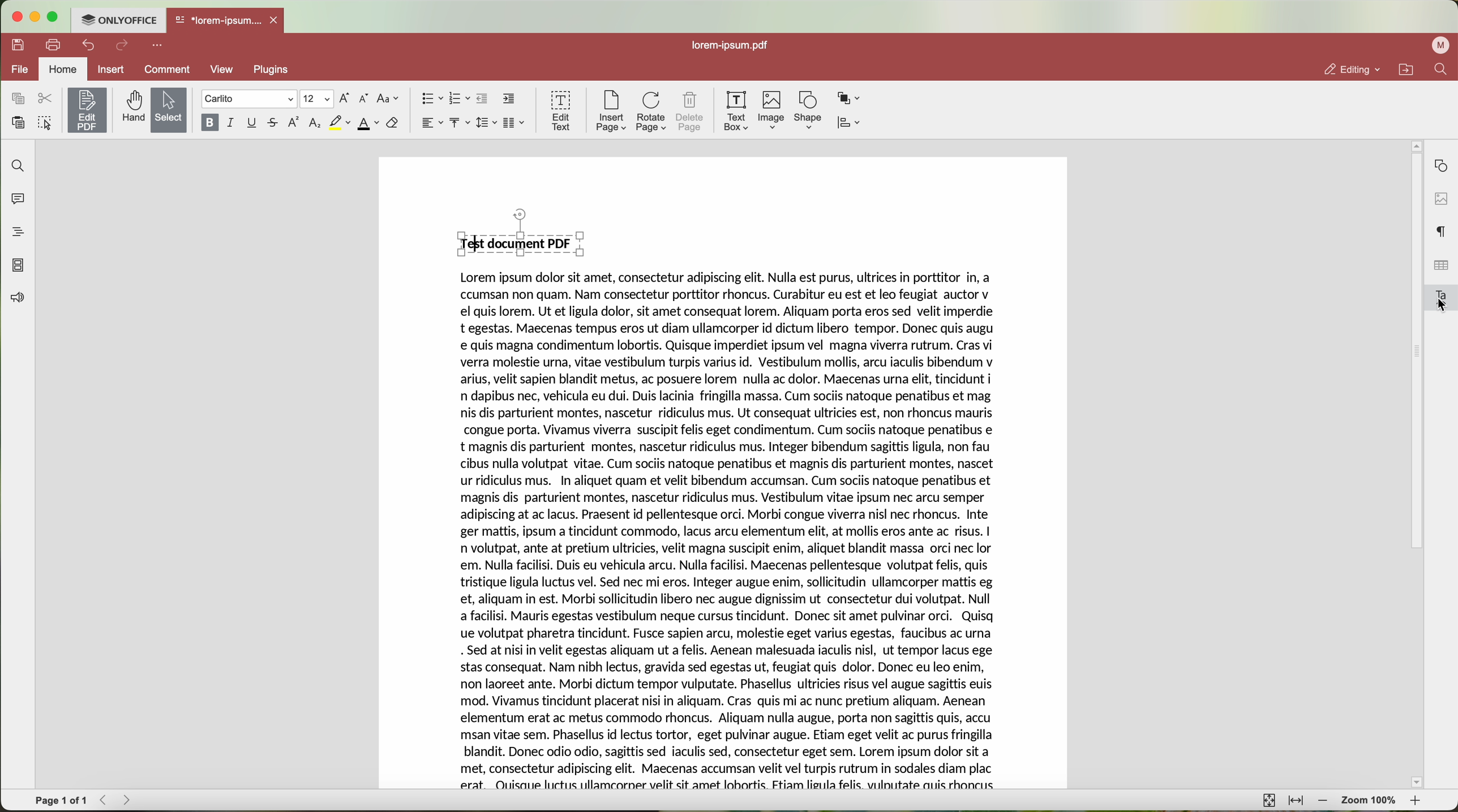  I want to click on redo, so click(123, 46).